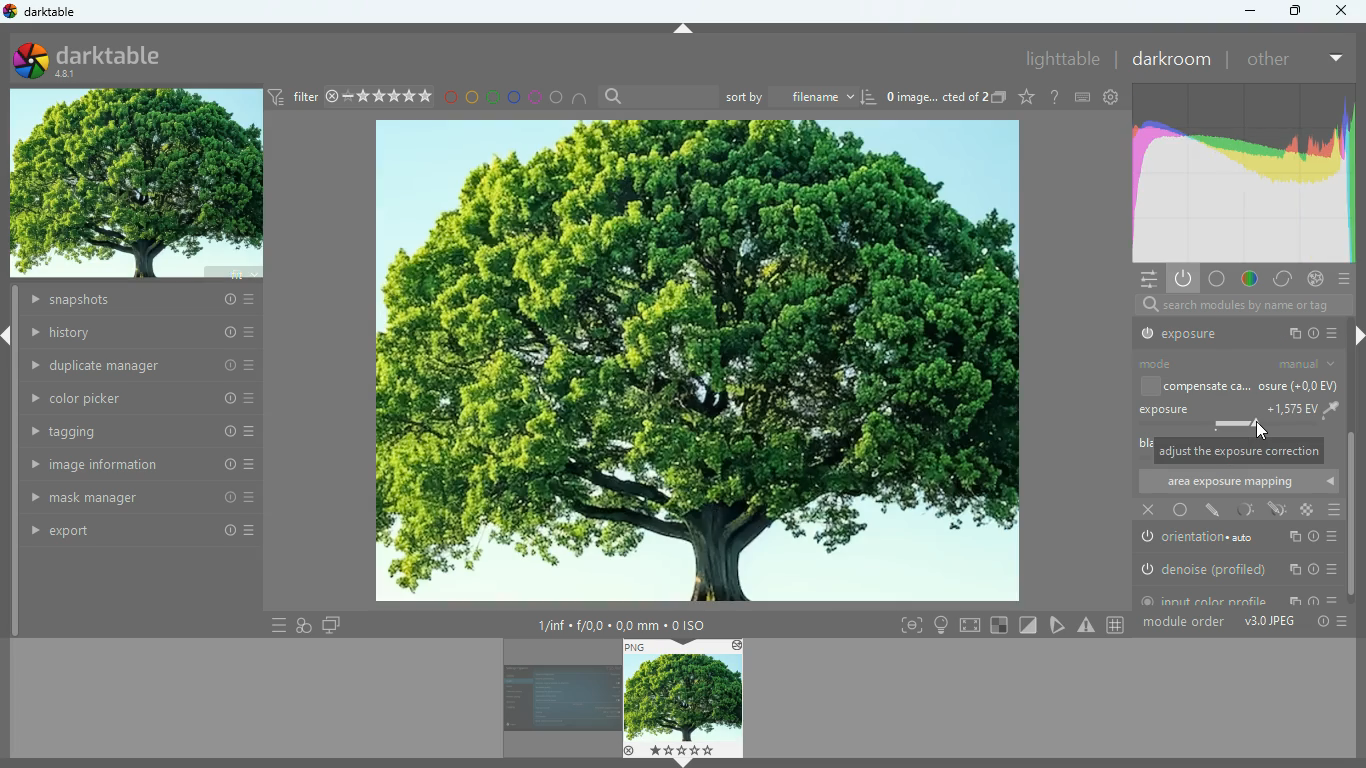  Describe the element at coordinates (1316, 278) in the screenshot. I see `effects` at that location.